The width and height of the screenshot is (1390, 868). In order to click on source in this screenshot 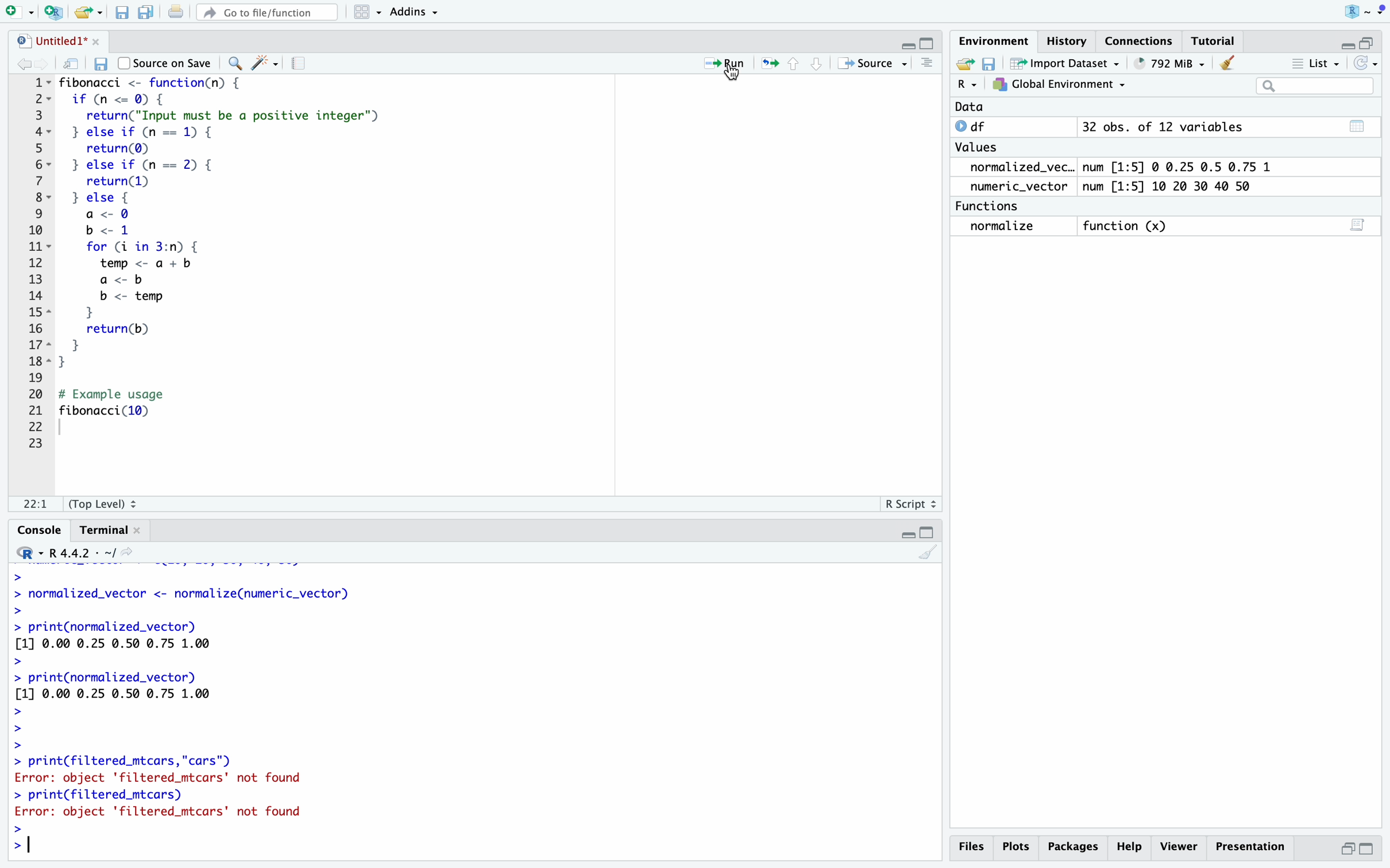, I will do `click(872, 63)`.